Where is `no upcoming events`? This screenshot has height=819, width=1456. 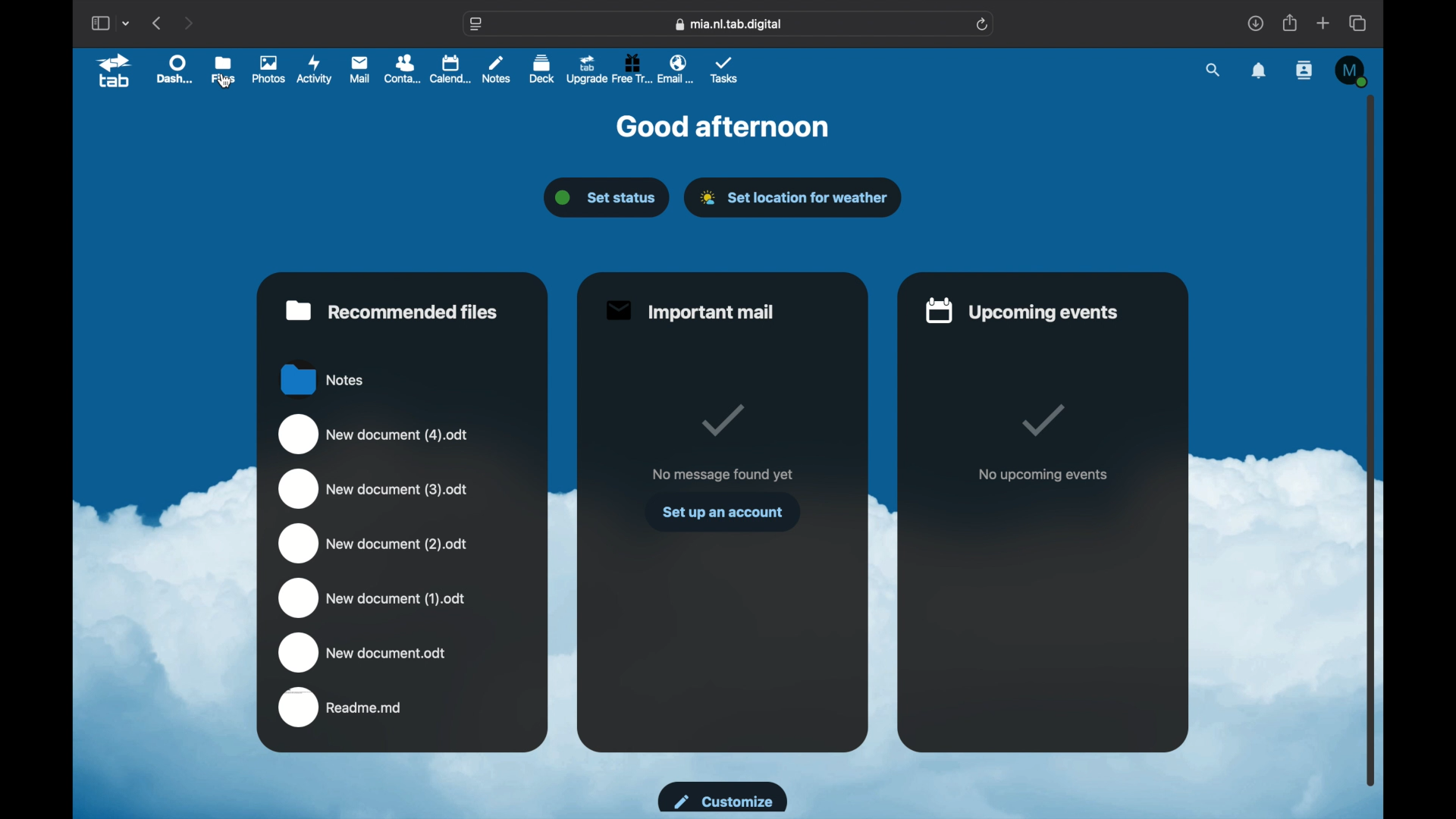
no upcoming events is located at coordinates (1043, 475).